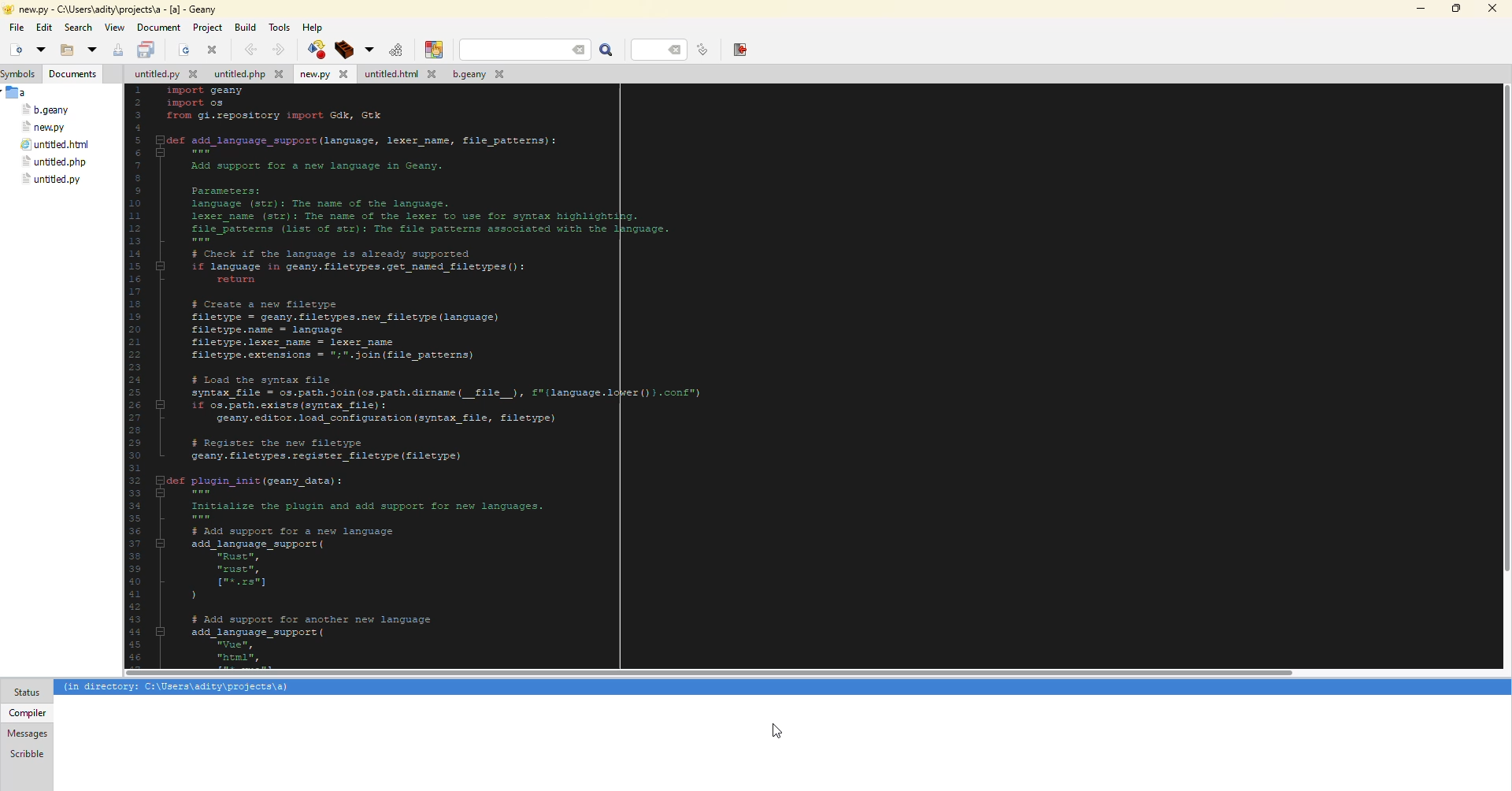 This screenshot has width=1512, height=791. Describe the element at coordinates (280, 50) in the screenshot. I see `forward` at that location.